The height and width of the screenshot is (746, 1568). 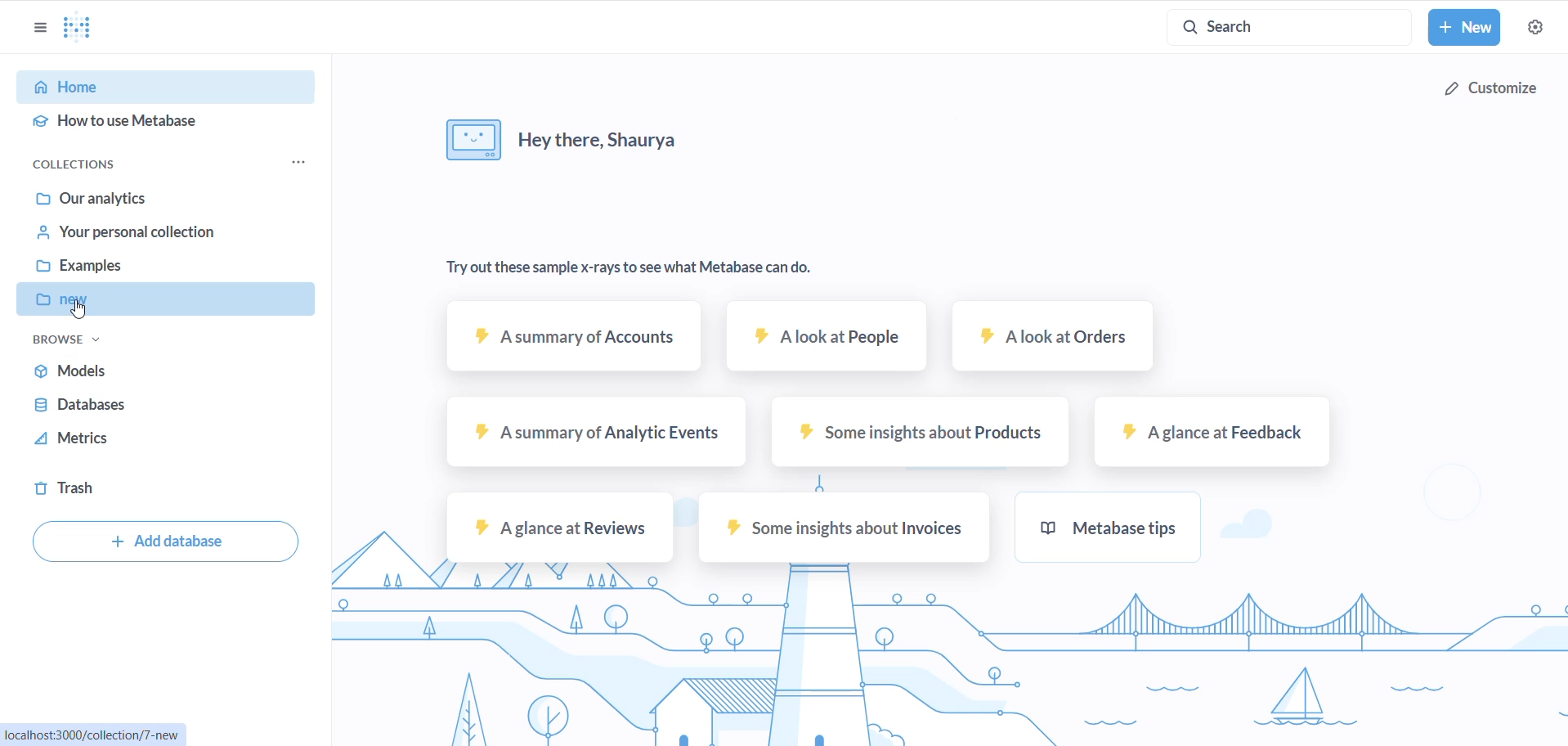 What do you see at coordinates (1534, 28) in the screenshot?
I see `SETTINGS` at bounding box center [1534, 28].